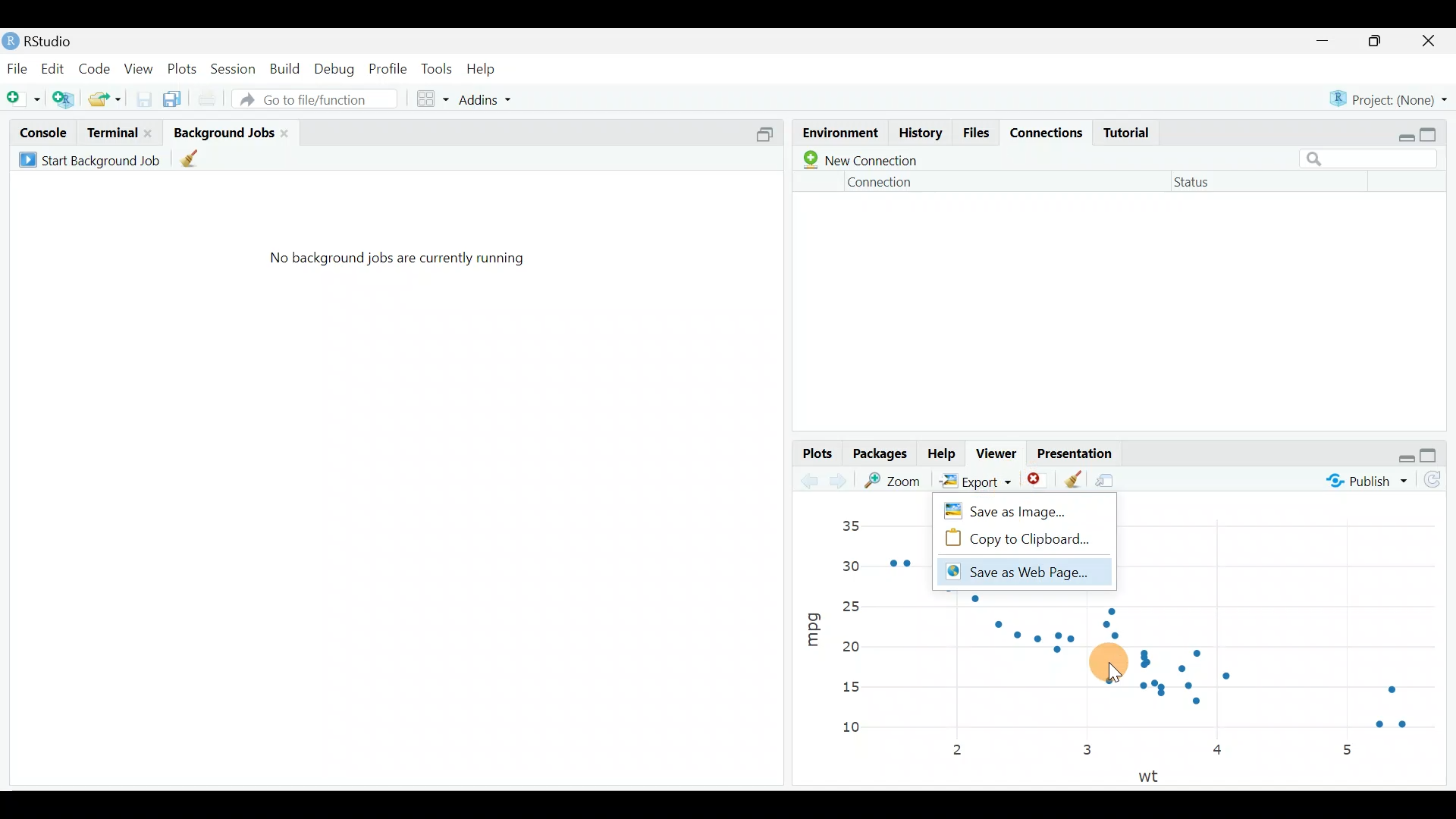 This screenshot has height=819, width=1456. I want to click on Background jobs, so click(223, 127).